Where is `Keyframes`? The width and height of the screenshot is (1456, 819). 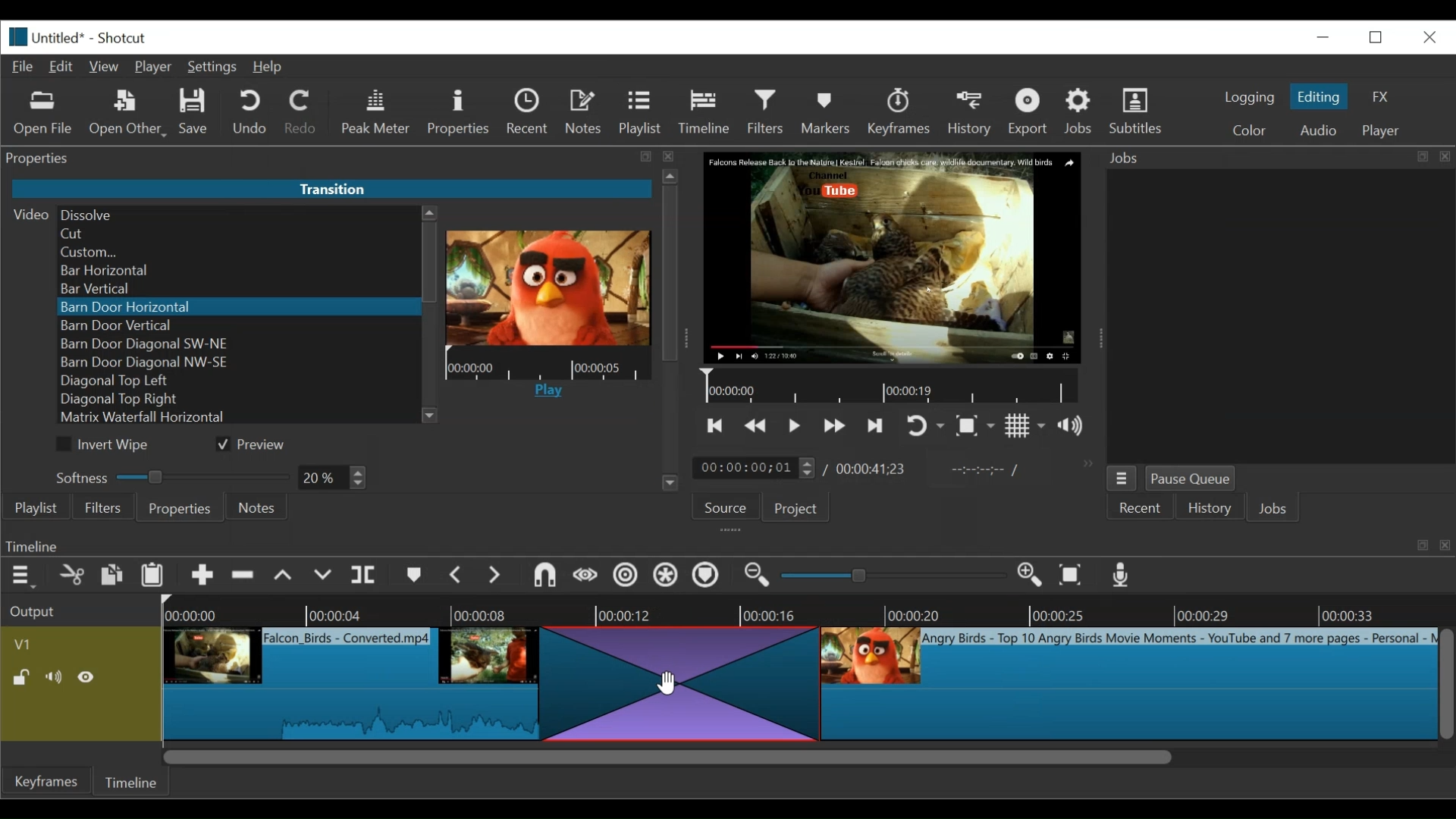 Keyframes is located at coordinates (899, 112).